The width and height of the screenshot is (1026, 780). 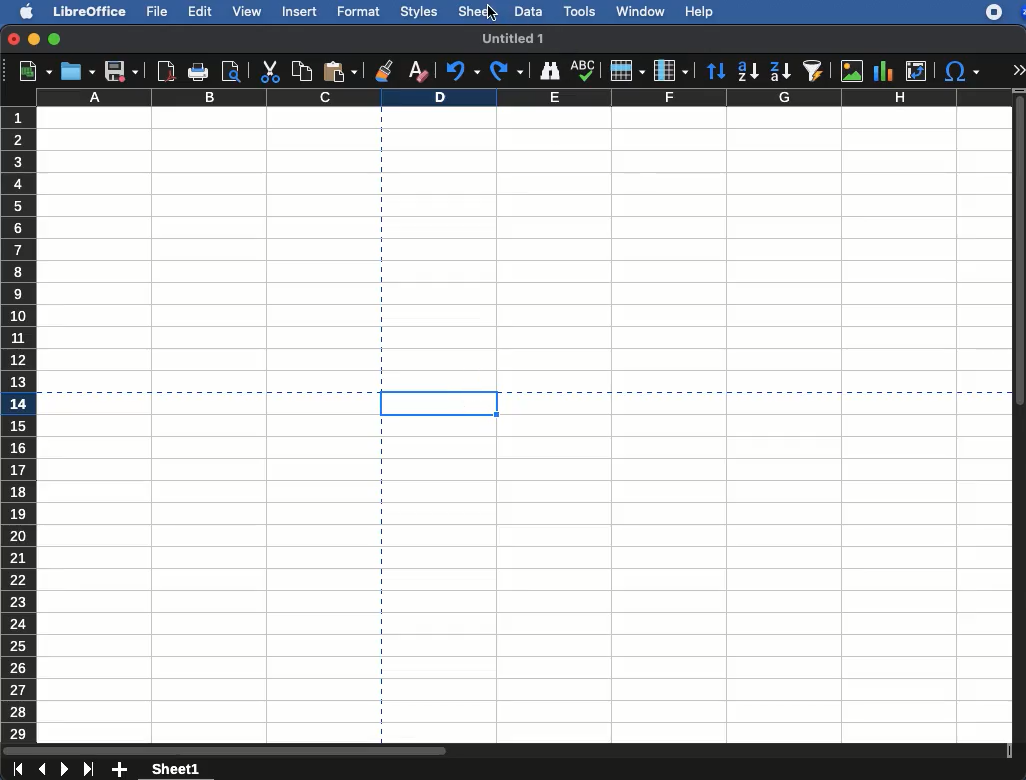 What do you see at coordinates (269, 73) in the screenshot?
I see `cut` at bounding box center [269, 73].